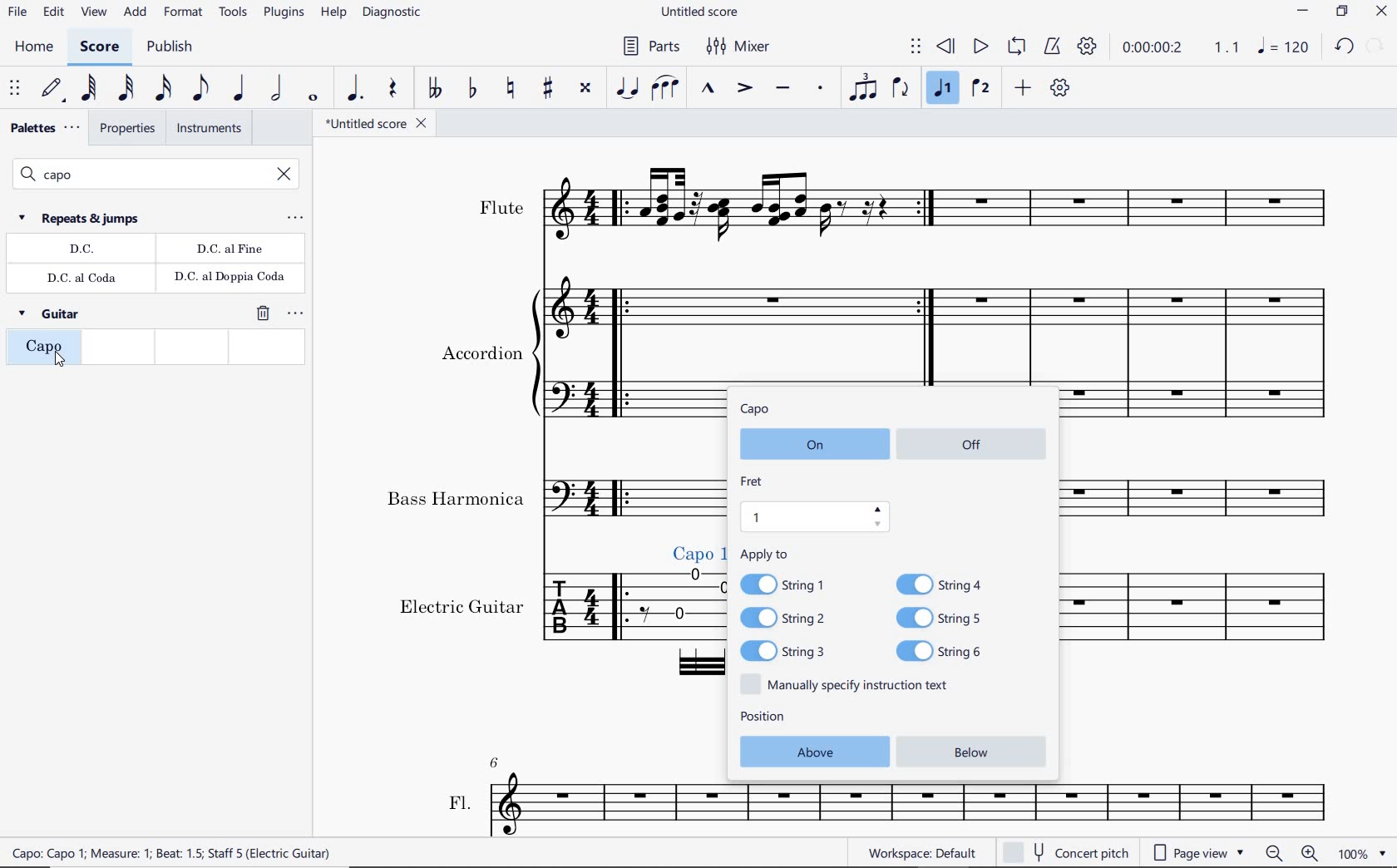  Describe the element at coordinates (126, 87) in the screenshot. I see `32nd note` at that location.